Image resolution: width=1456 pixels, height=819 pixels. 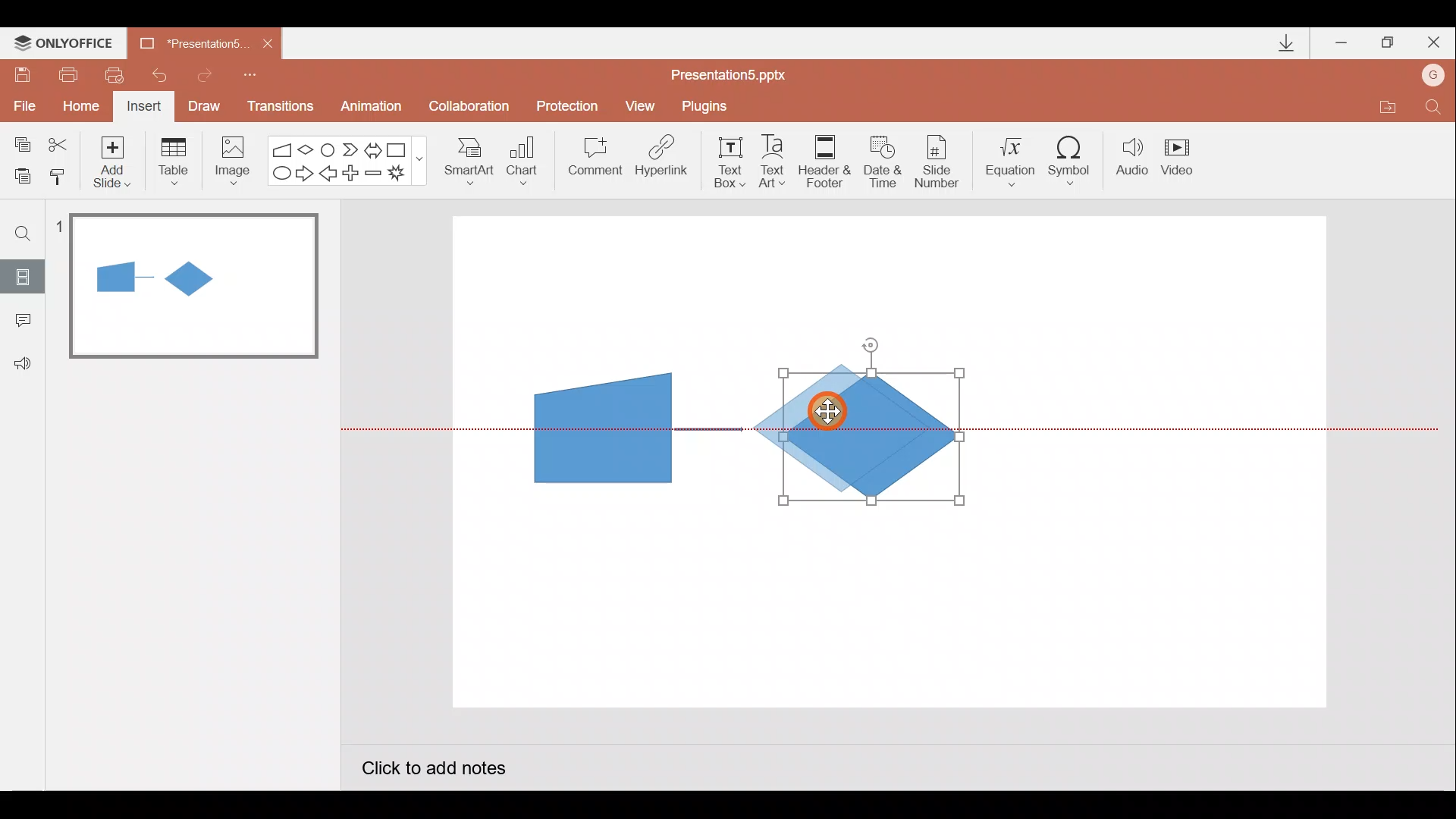 I want to click on Manual input flow chart , so click(x=600, y=426).